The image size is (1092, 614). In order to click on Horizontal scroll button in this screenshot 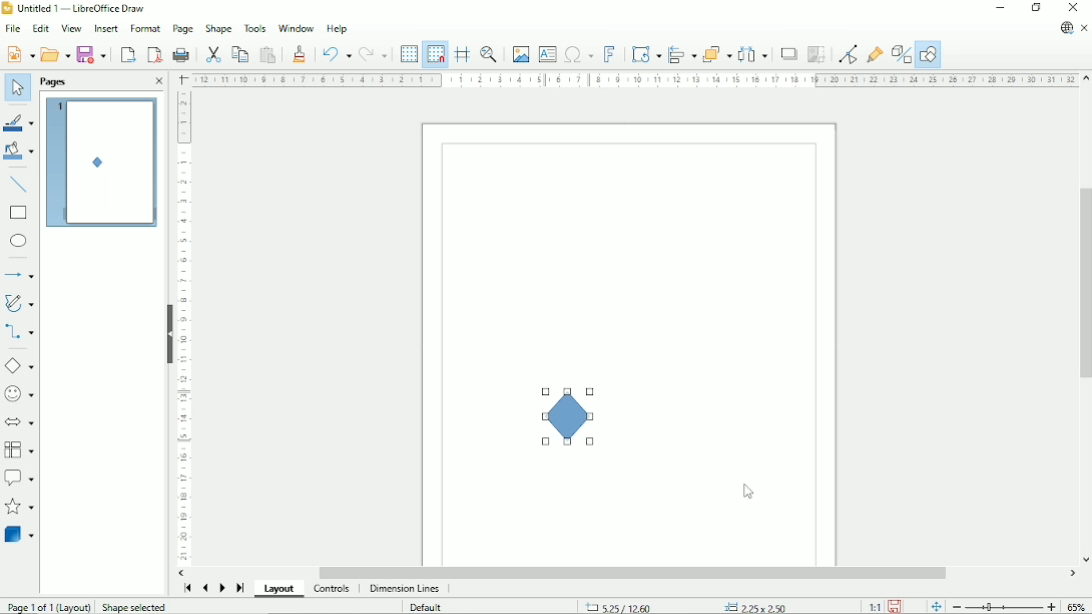, I will do `click(185, 572)`.